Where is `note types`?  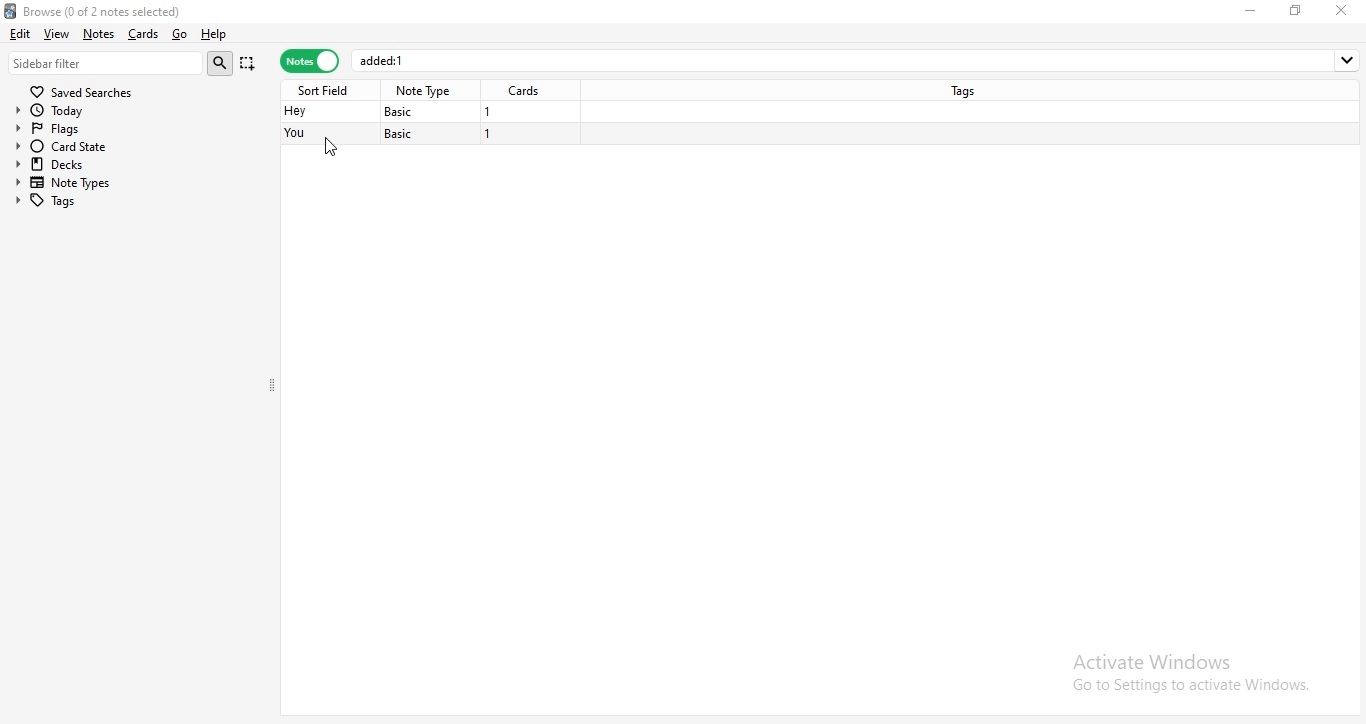
note types is located at coordinates (68, 183).